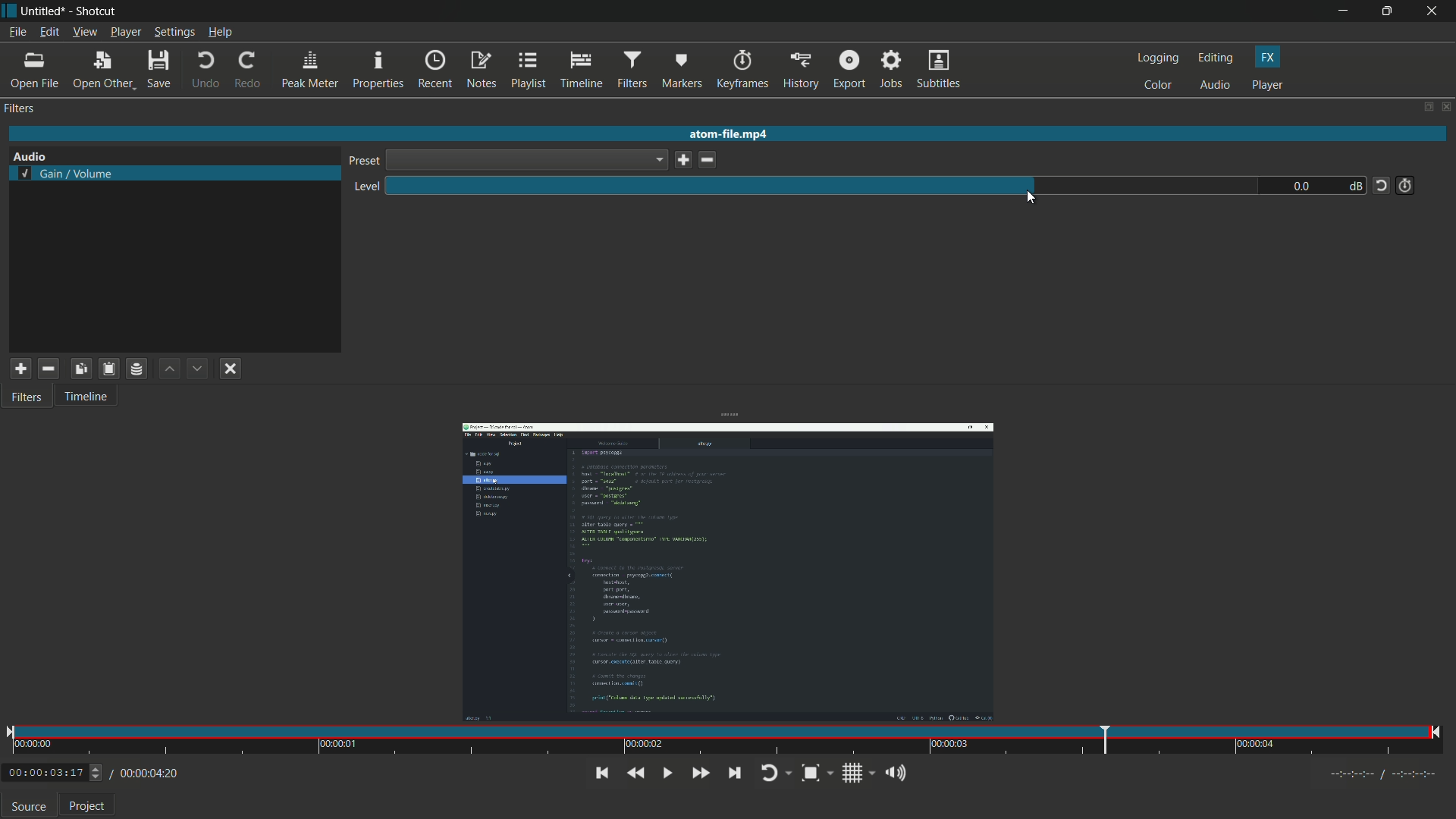  I want to click on move filter down, so click(199, 369).